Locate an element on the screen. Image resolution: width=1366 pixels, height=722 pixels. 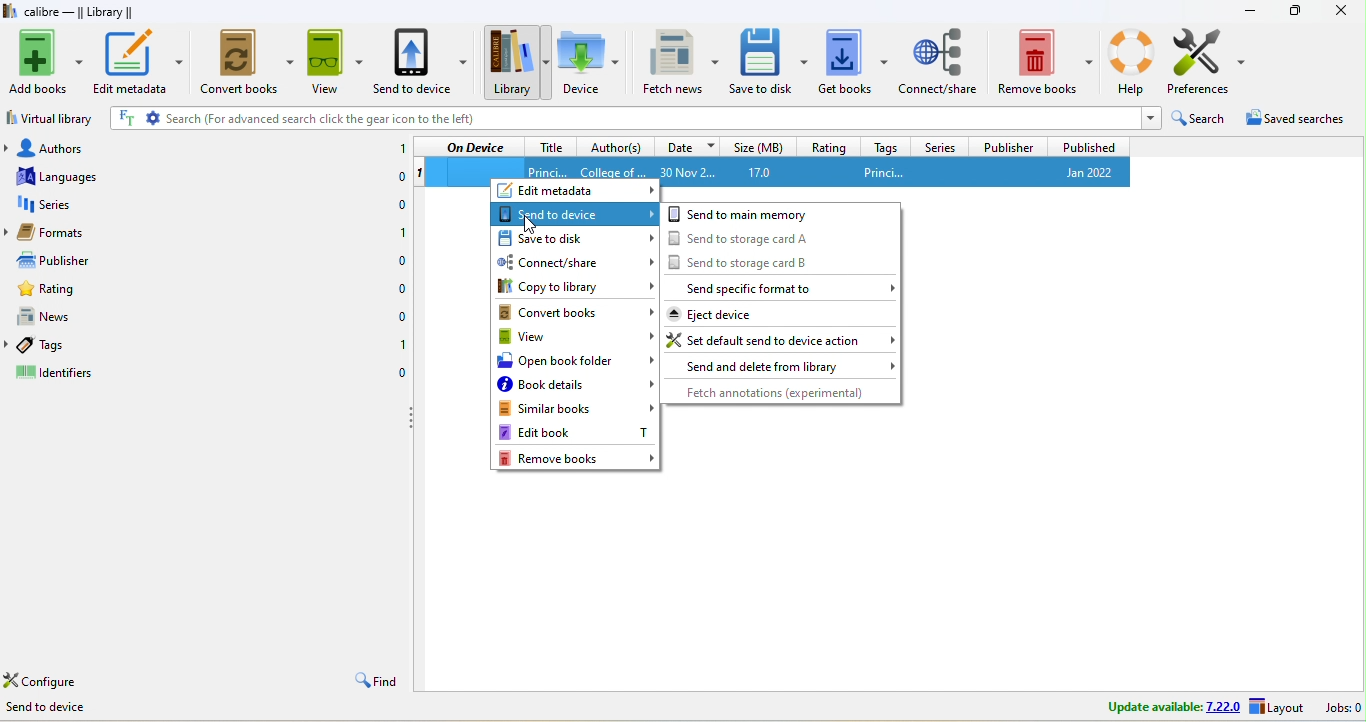
calibre-library is located at coordinates (85, 13).